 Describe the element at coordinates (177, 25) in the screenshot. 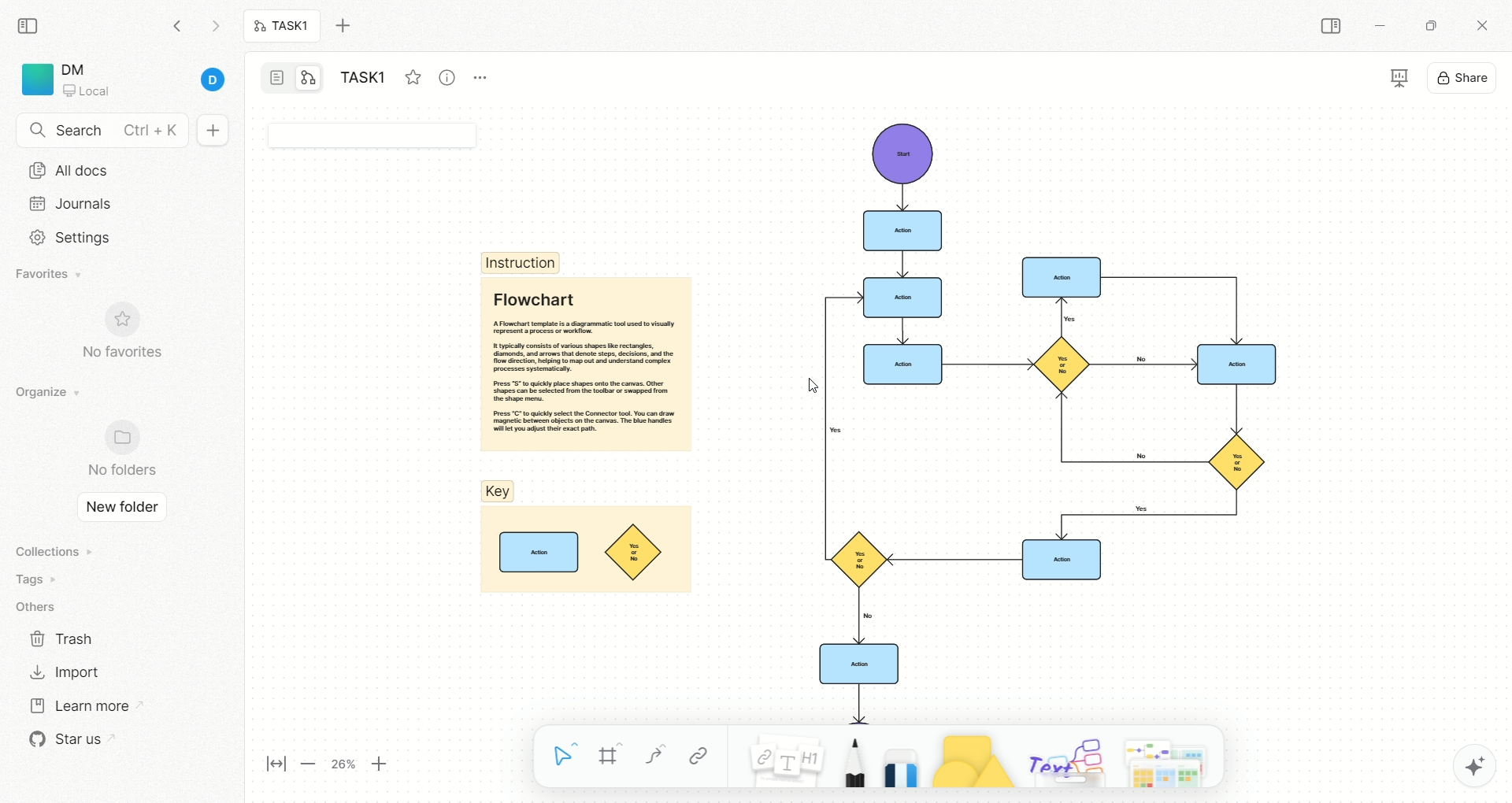

I see `go backward` at that location.